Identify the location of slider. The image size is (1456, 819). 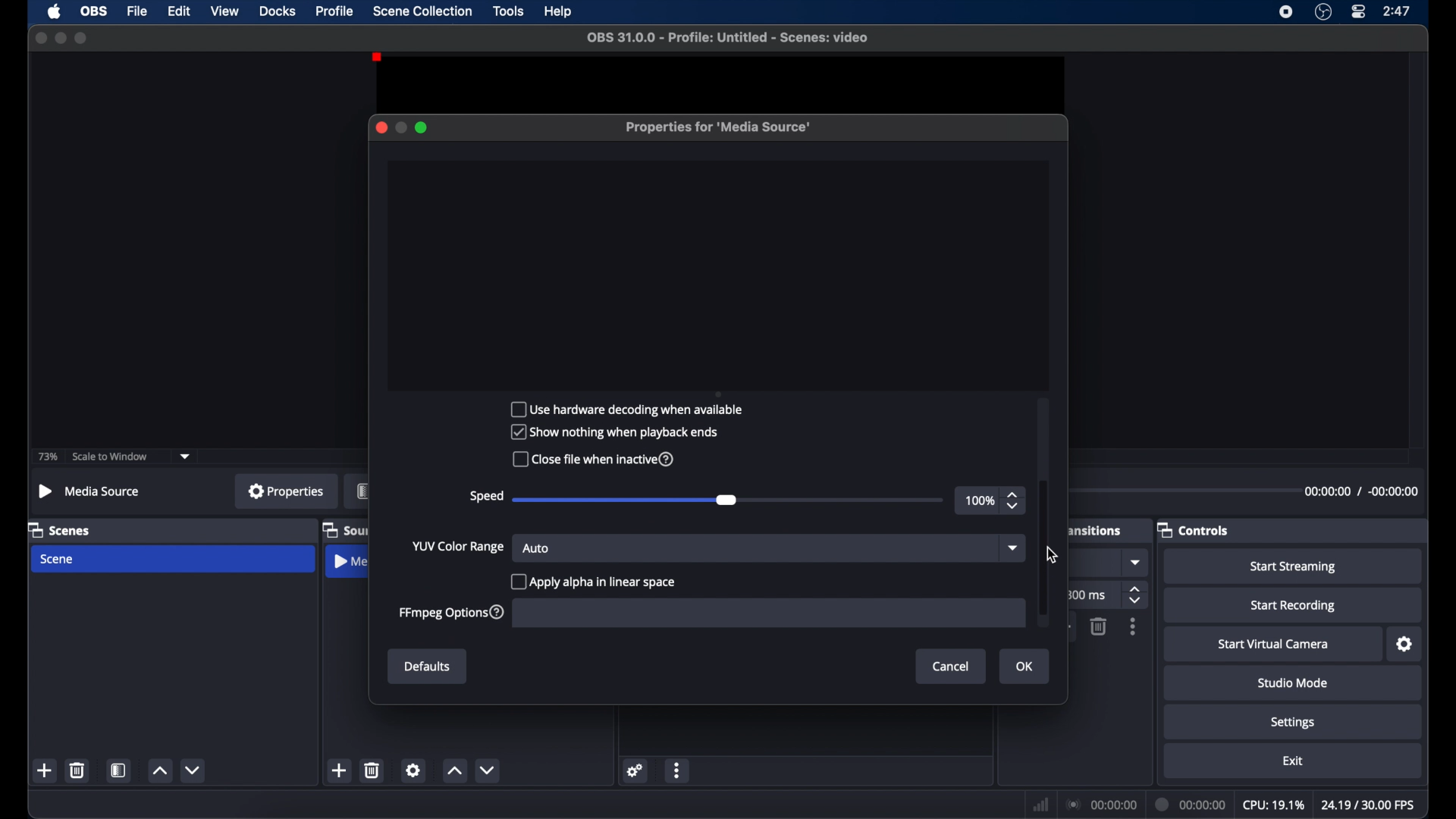
(625, 500).